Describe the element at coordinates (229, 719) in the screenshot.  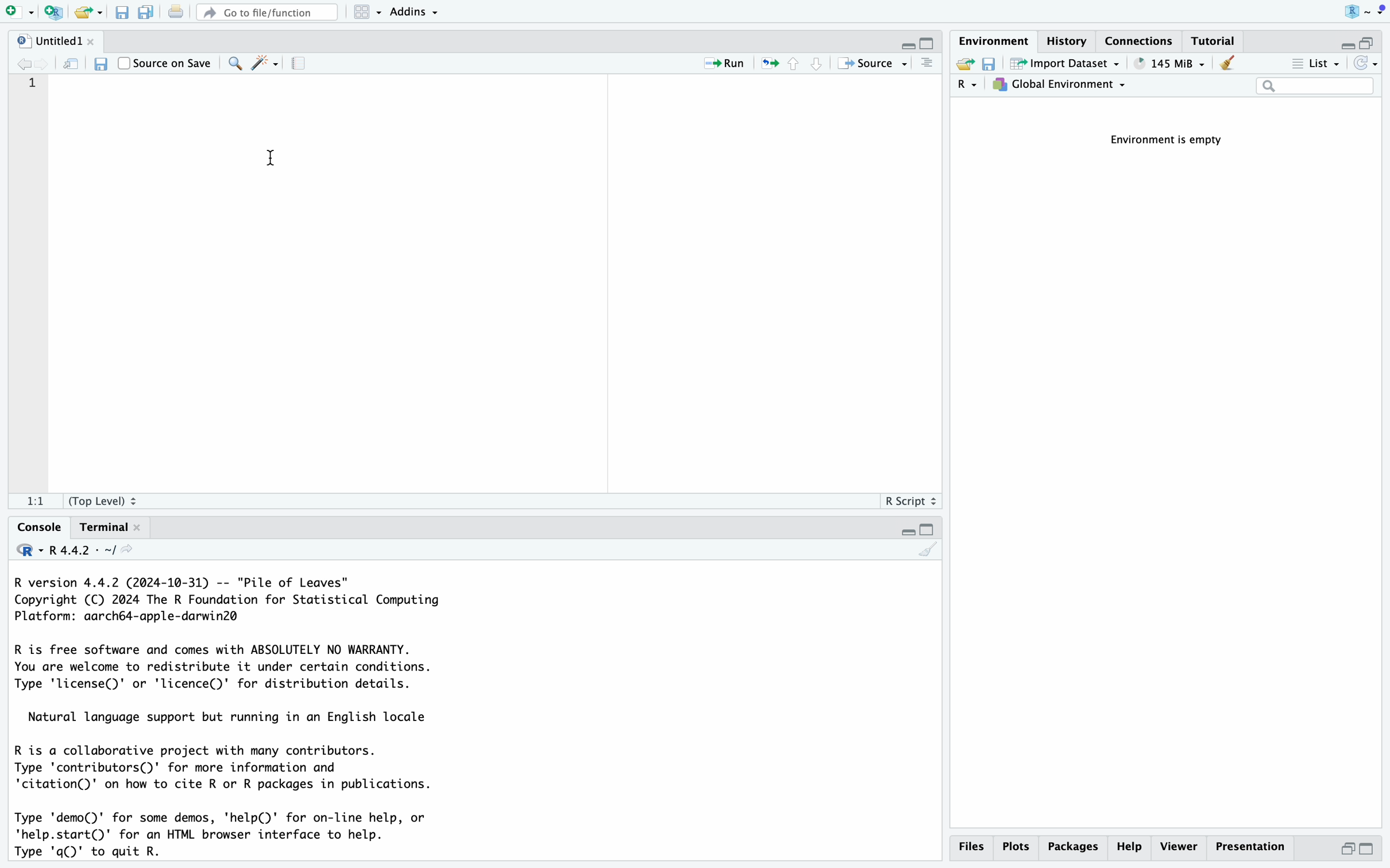
I see `description of support` at that location.